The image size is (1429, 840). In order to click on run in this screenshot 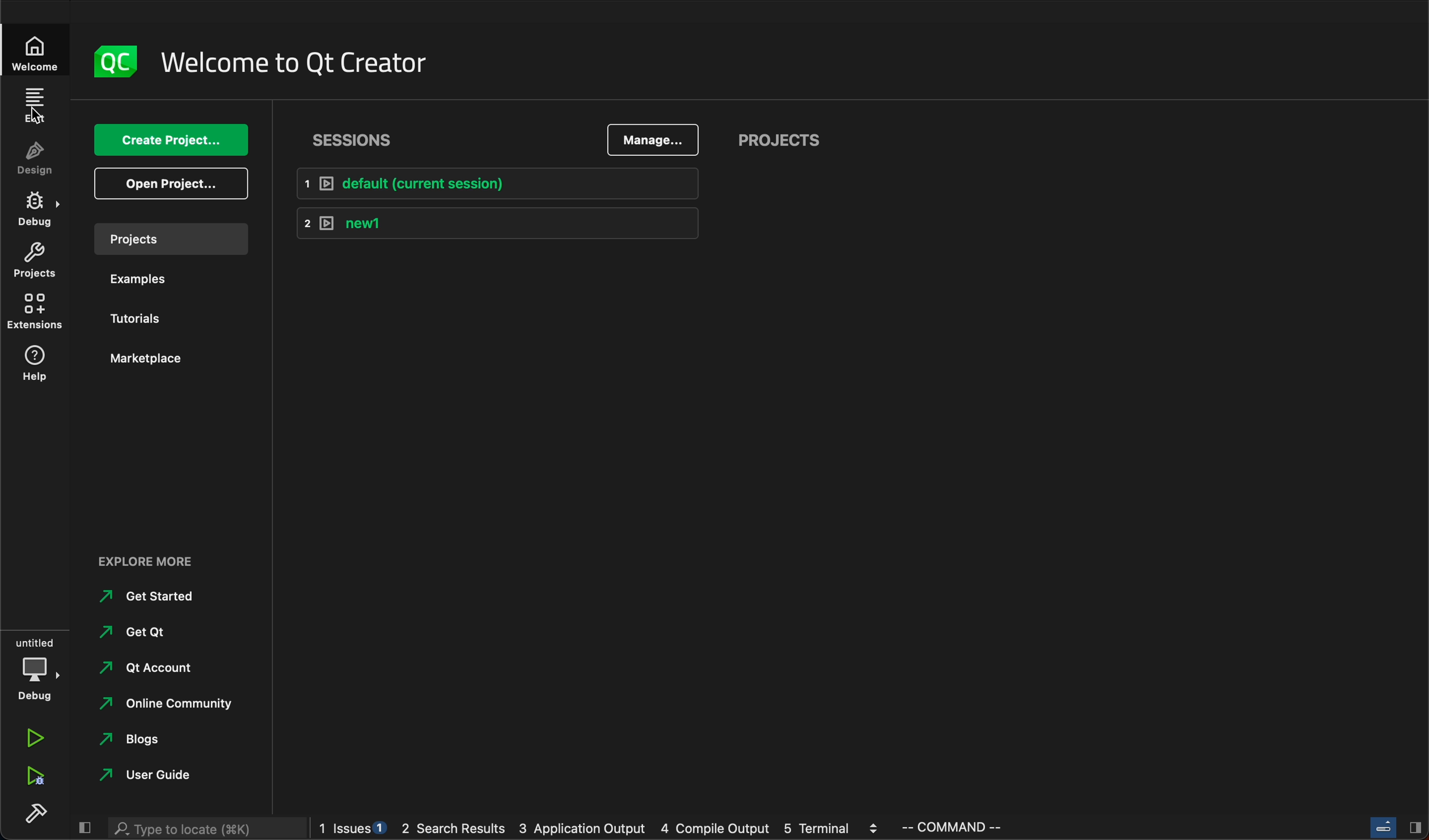, I will do `click(33, 740)`.